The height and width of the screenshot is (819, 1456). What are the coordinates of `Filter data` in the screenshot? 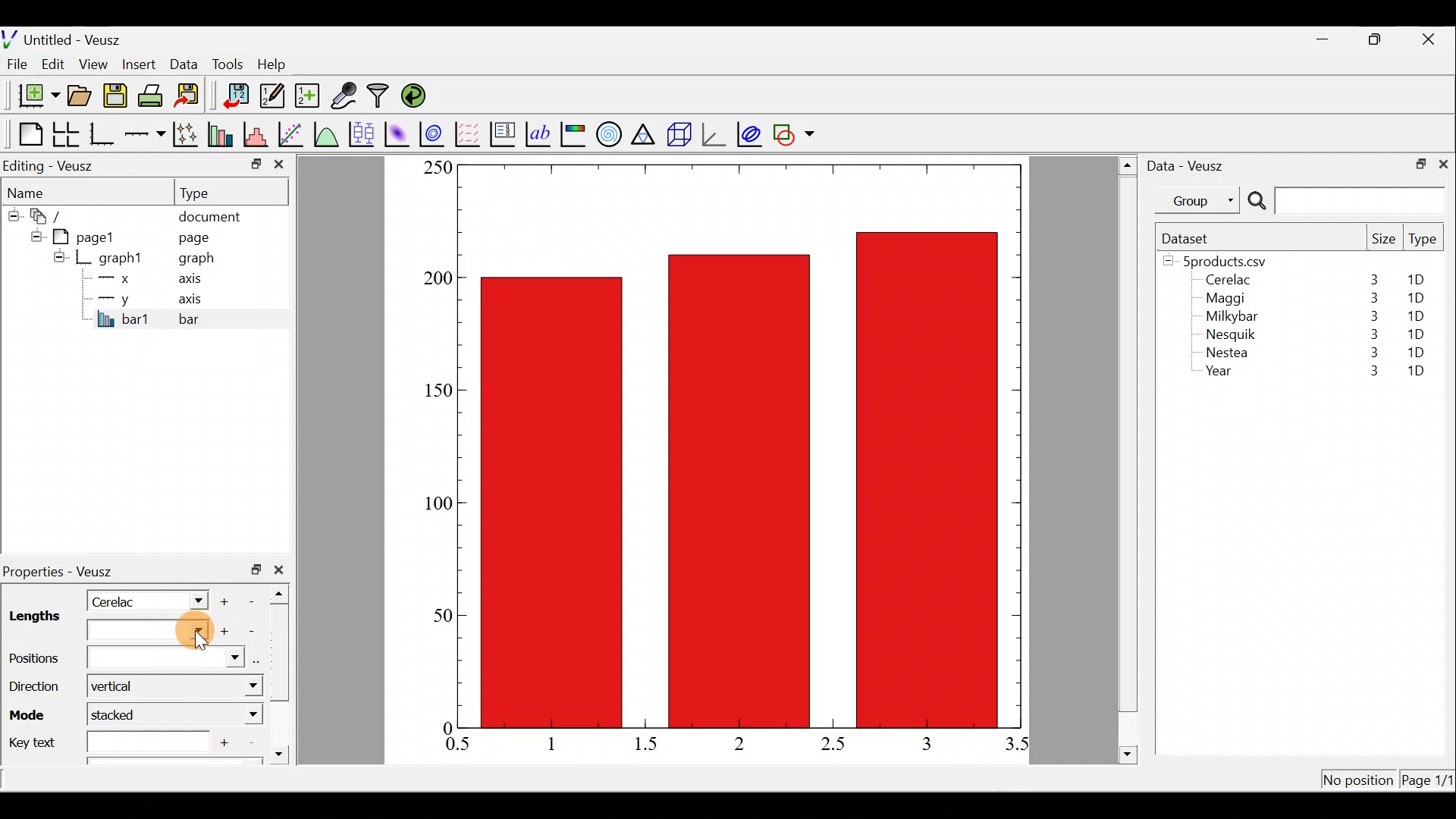 It's located at (381, 97).